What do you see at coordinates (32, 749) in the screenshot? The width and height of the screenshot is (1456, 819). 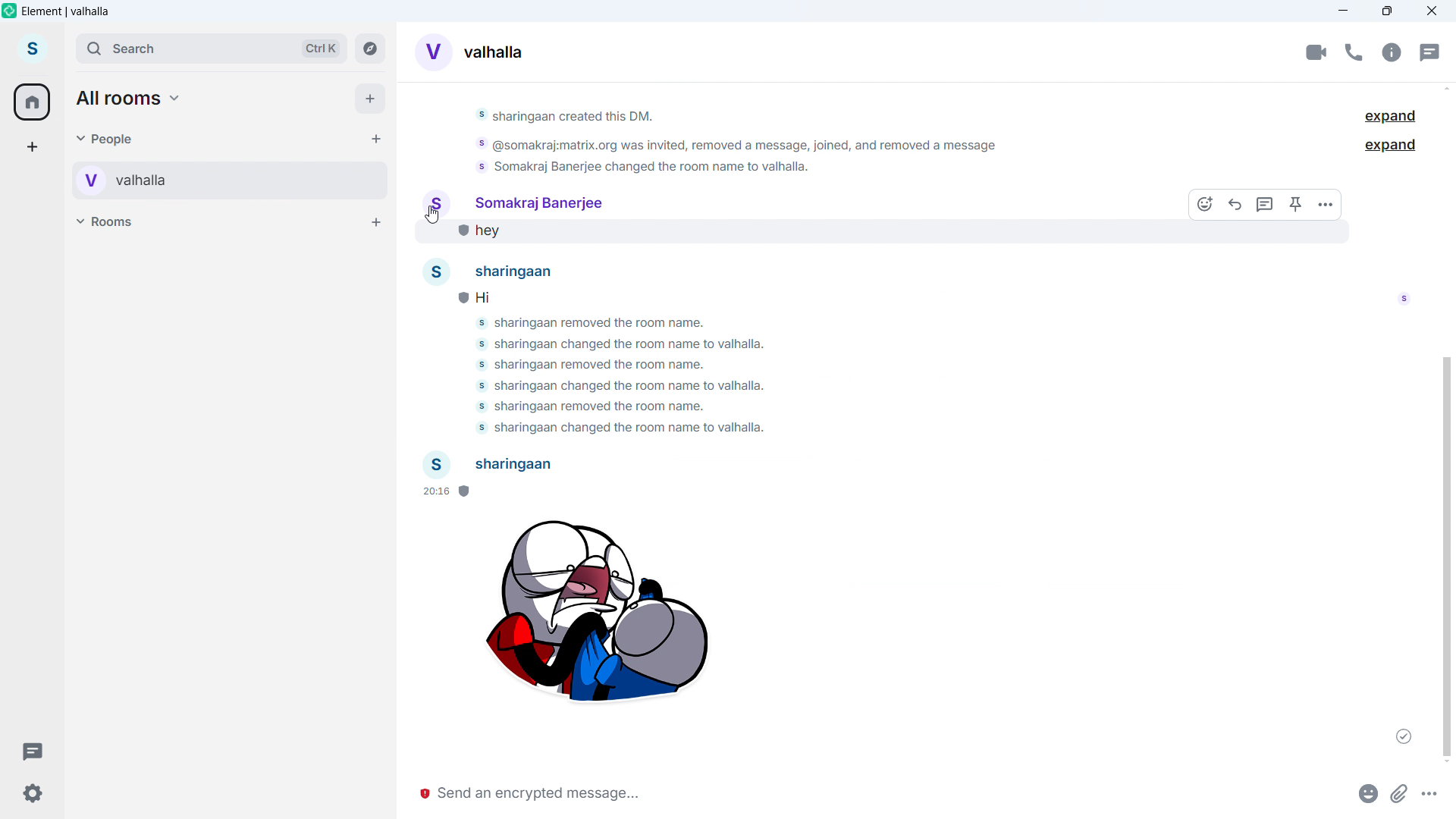 I see `Threads` at bounding box center [32, 749].